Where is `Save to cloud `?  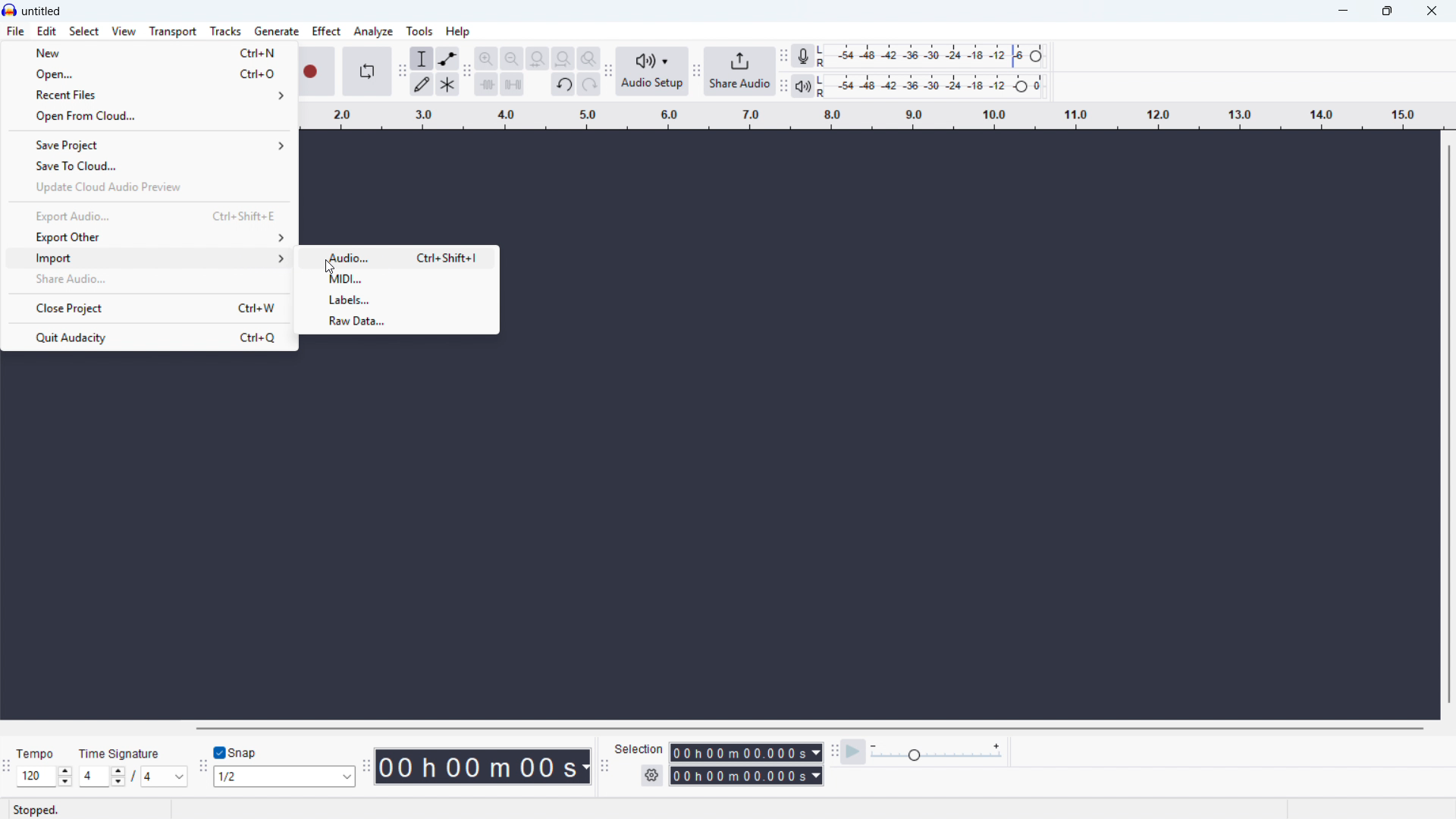 Save to cloud  is located at coordinates (147, 168).